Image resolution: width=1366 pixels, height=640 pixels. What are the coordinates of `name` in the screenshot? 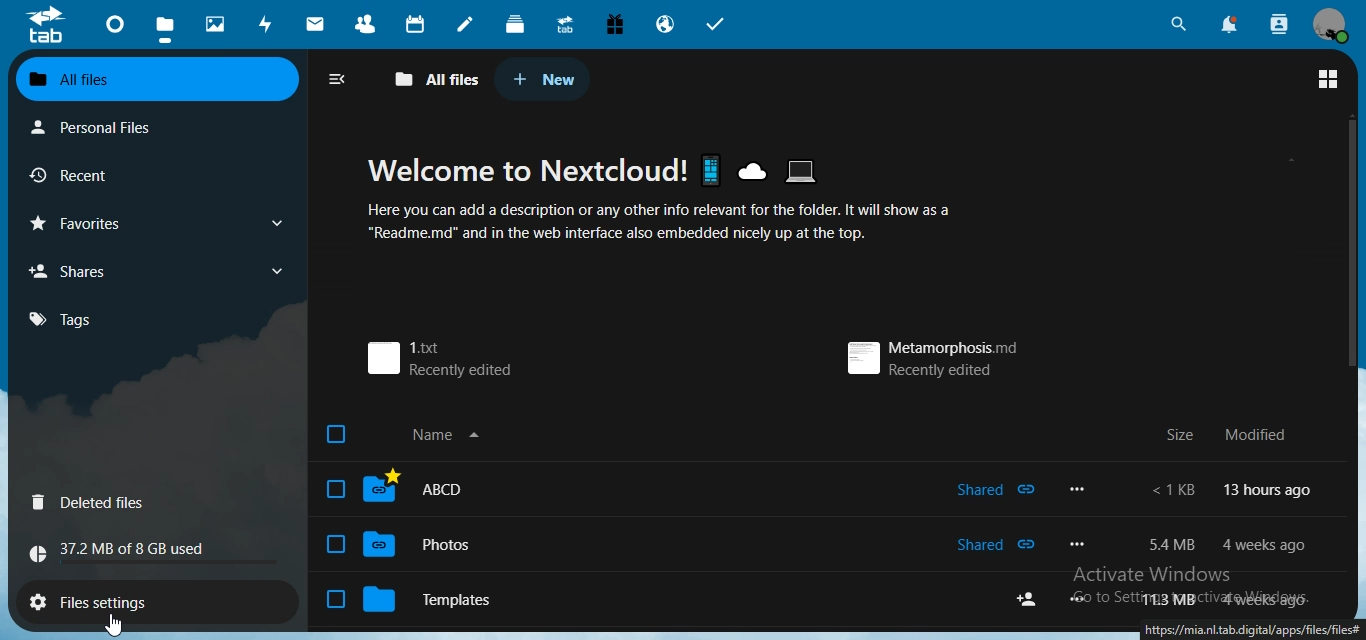 It's located at (459, 435).